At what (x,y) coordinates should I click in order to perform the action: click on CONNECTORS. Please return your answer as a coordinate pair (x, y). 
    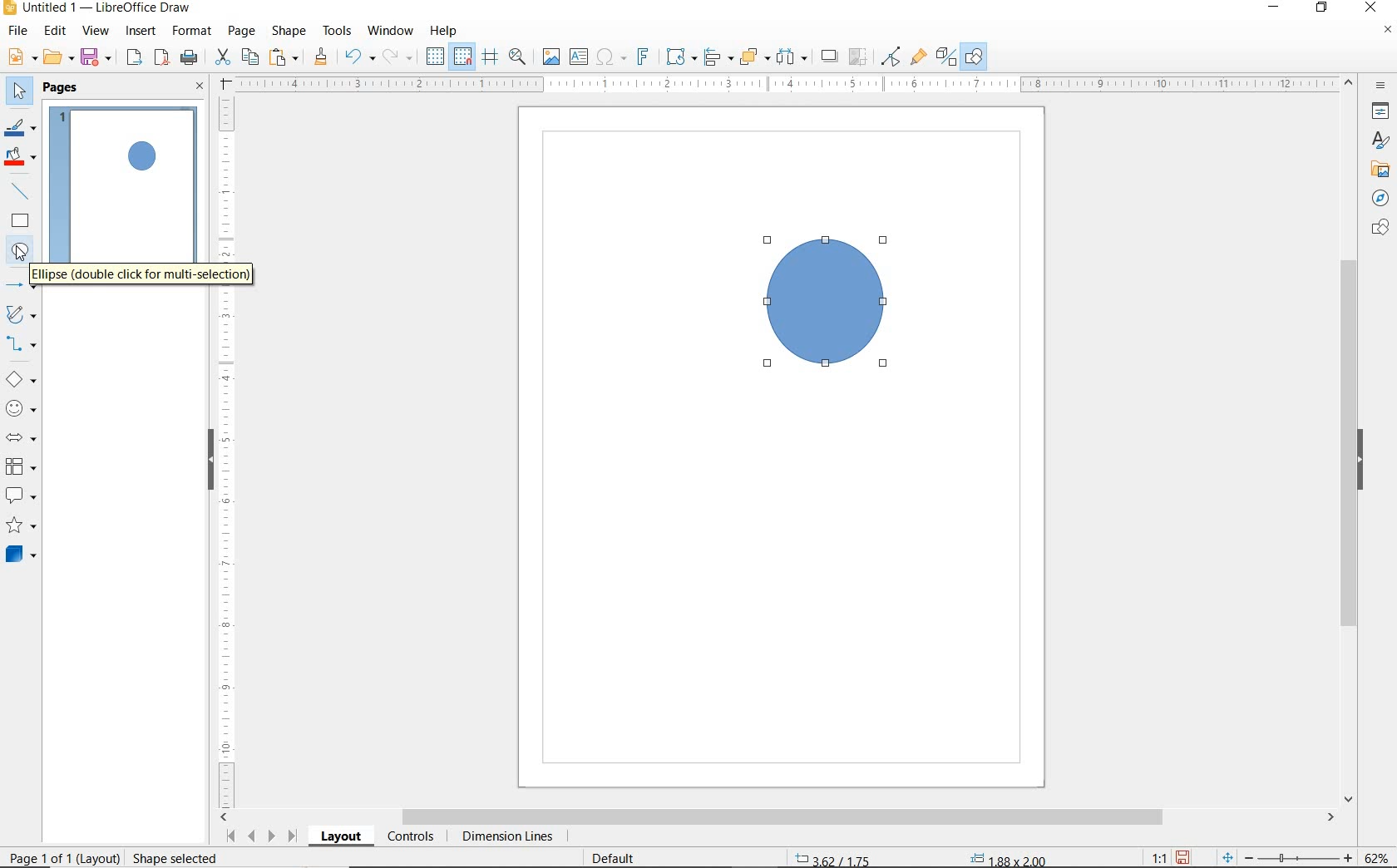
    Looking at the image, I should click on (22, 344).